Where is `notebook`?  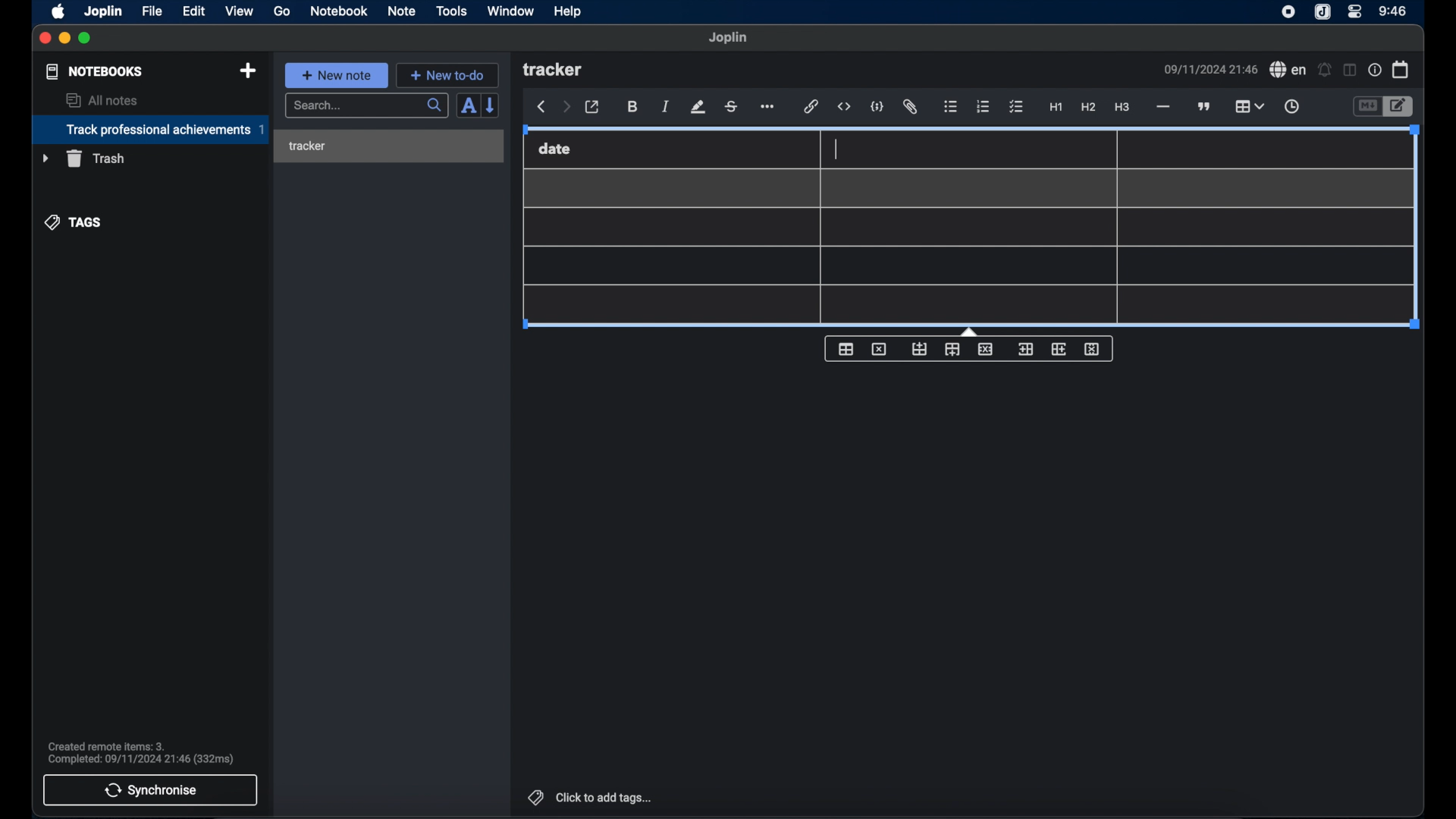 notebook is located at coordinates (339, 11).